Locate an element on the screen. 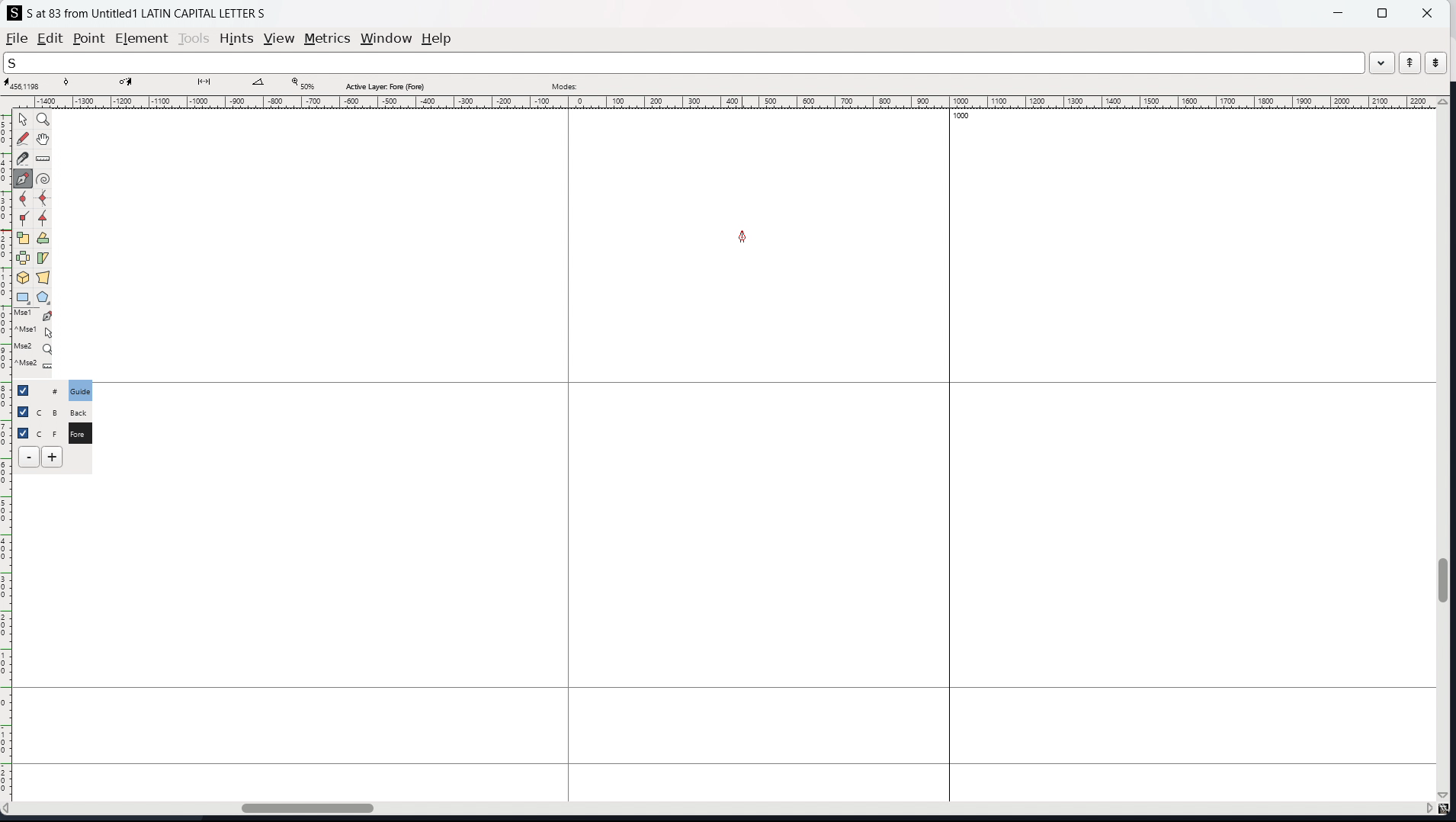 This screenshot has height=822, width=1456. add a tangent point is located at coordinates (43, 219).